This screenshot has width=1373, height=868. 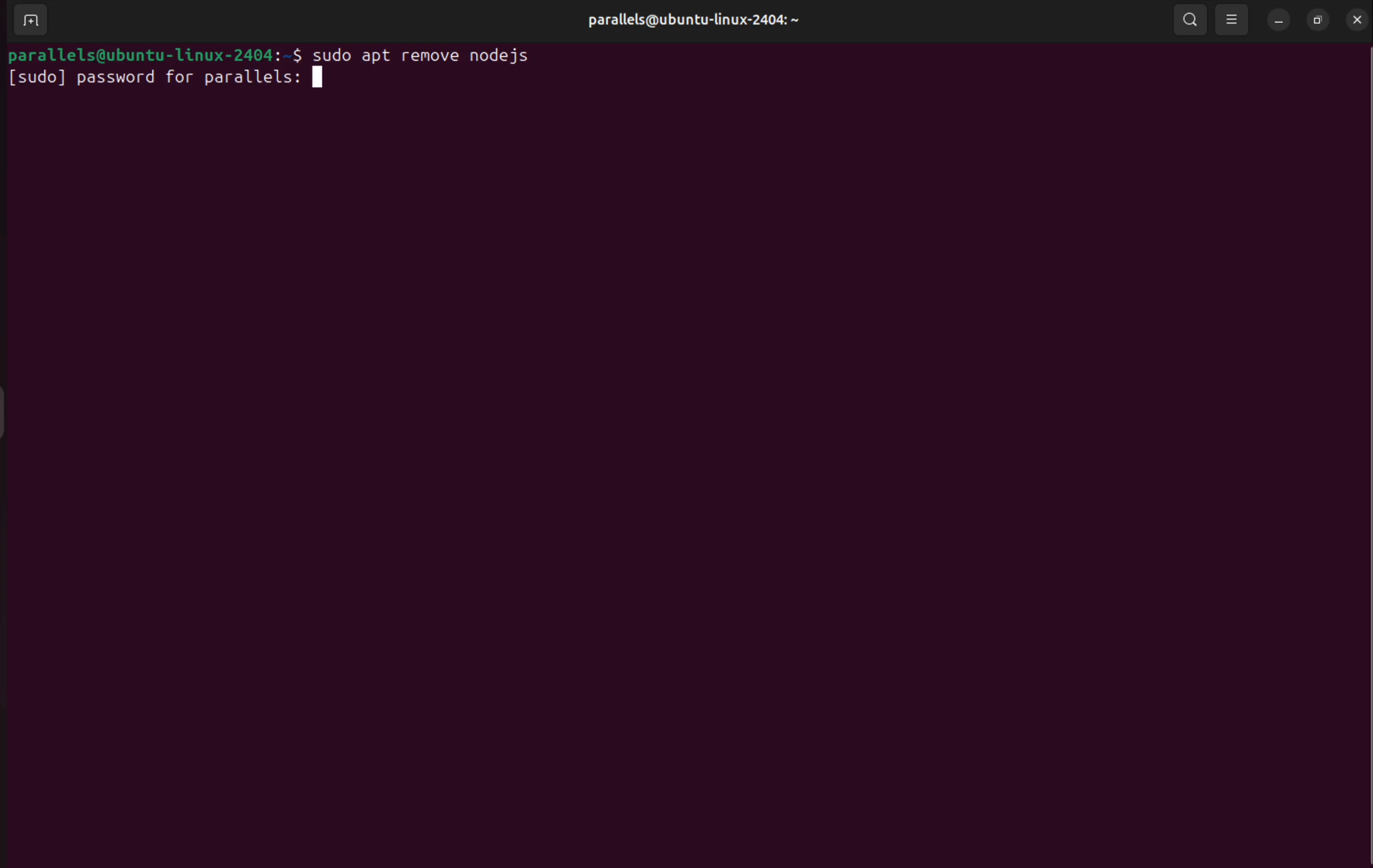 I want to click on parallels@ubuntu-linux-2404: ~, so click(x=692, y=19).